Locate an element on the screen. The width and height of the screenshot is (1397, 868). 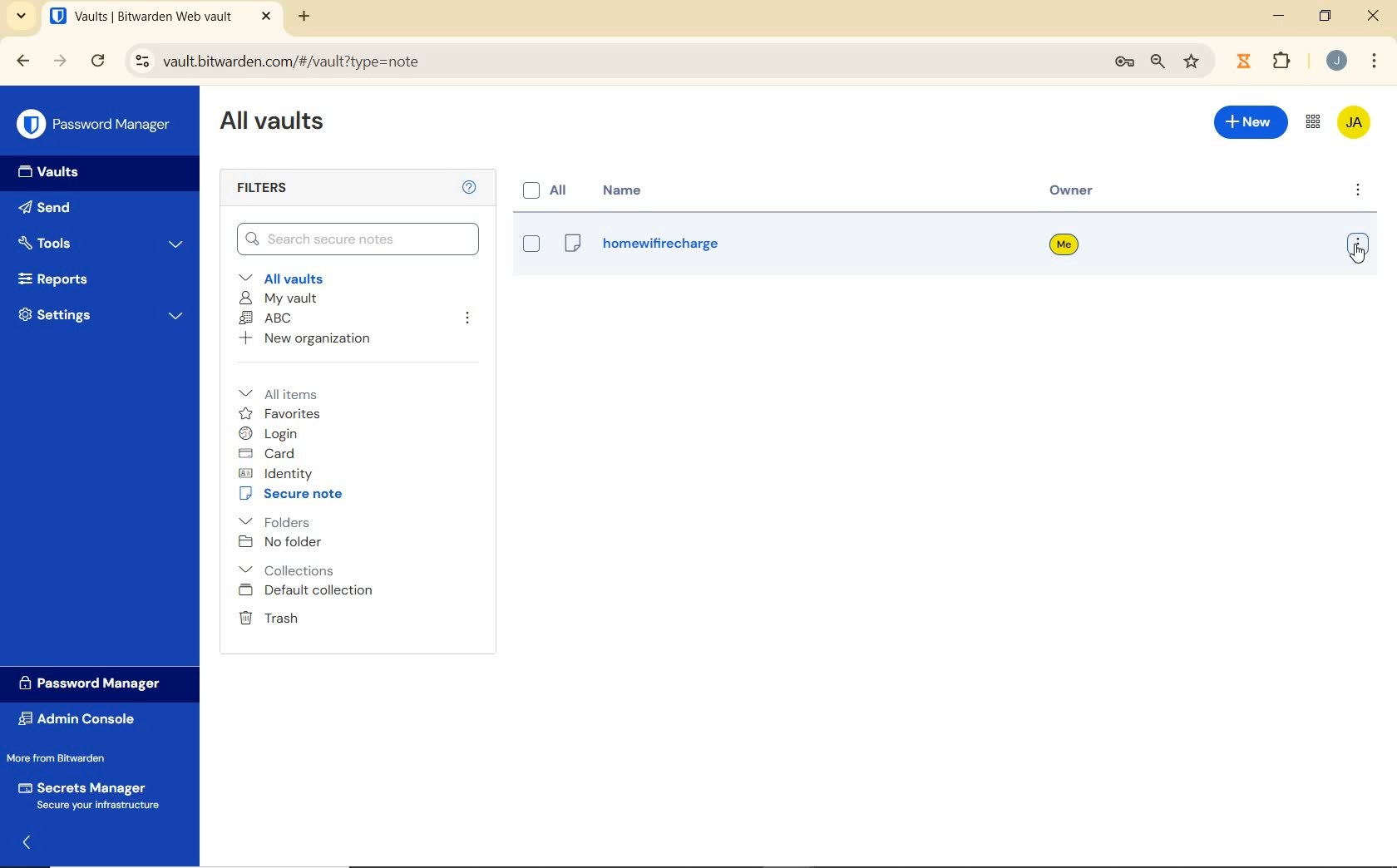
search tabs is located at coordinates (23, 18).